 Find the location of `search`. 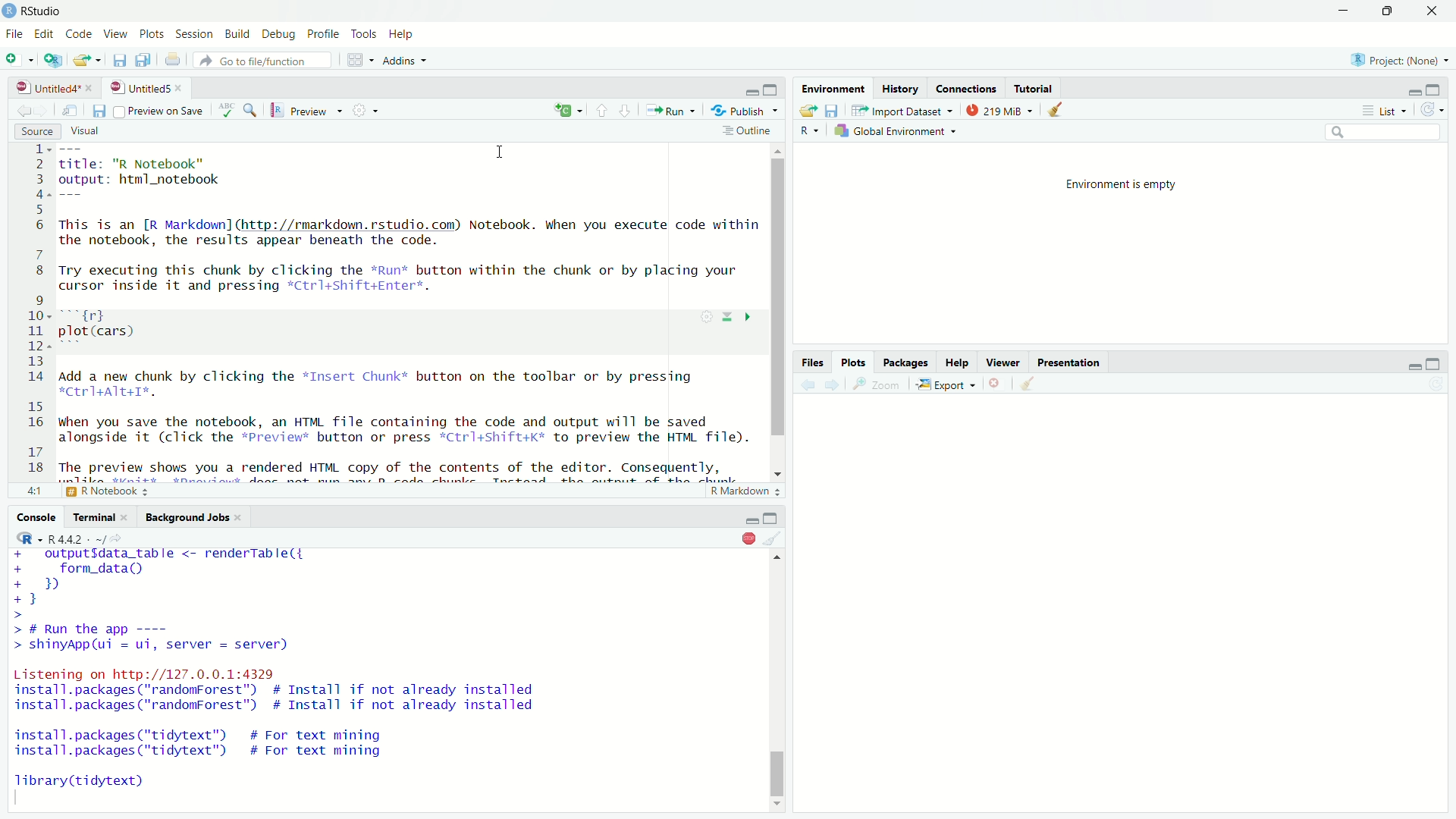

search is located at coordinates (1385, 132).